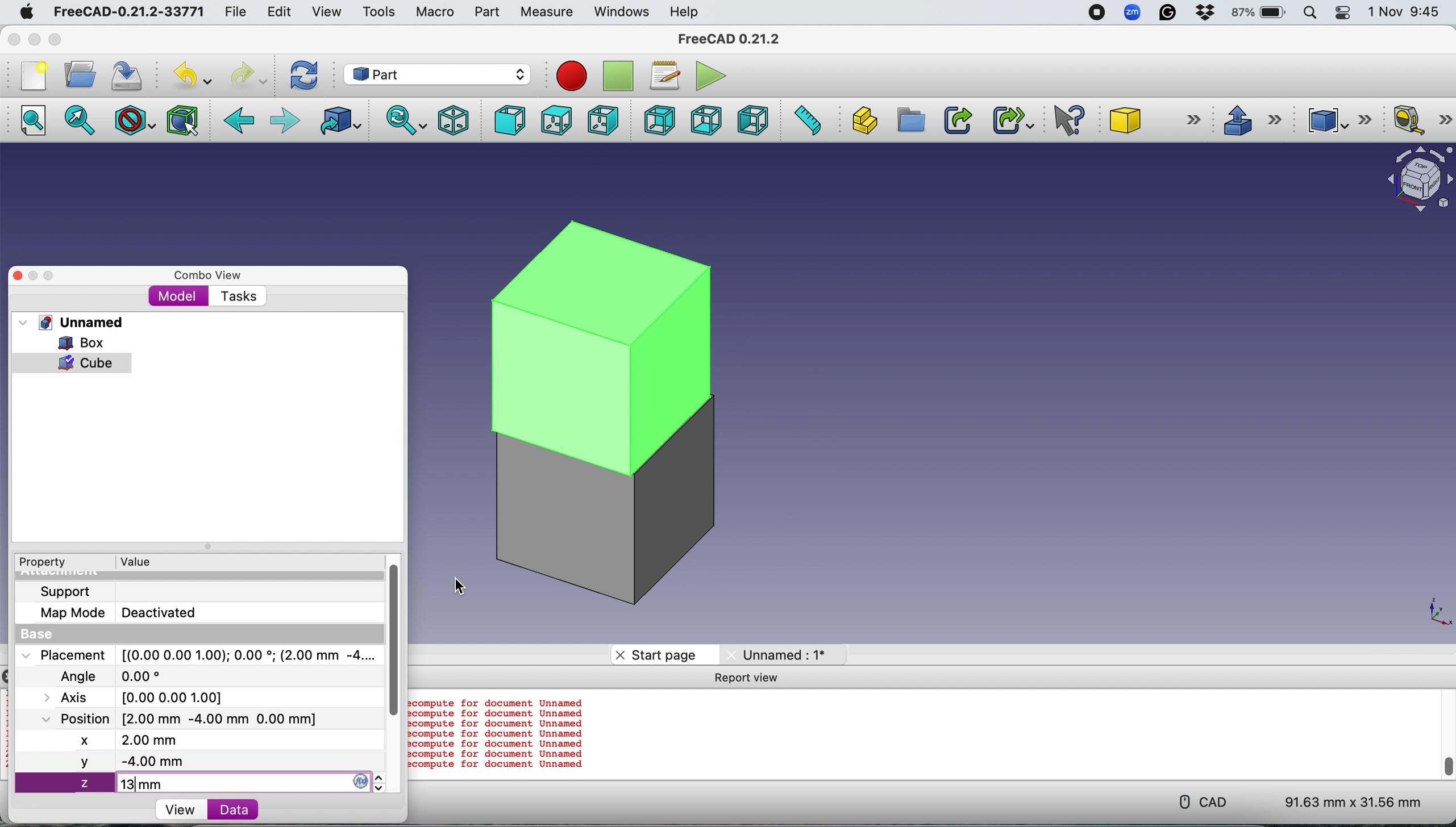 The width and height of the screenshot is (1456, 827). Describe the element at coordinates (435, 13) in the screenshot. I see `Macro` at that location.